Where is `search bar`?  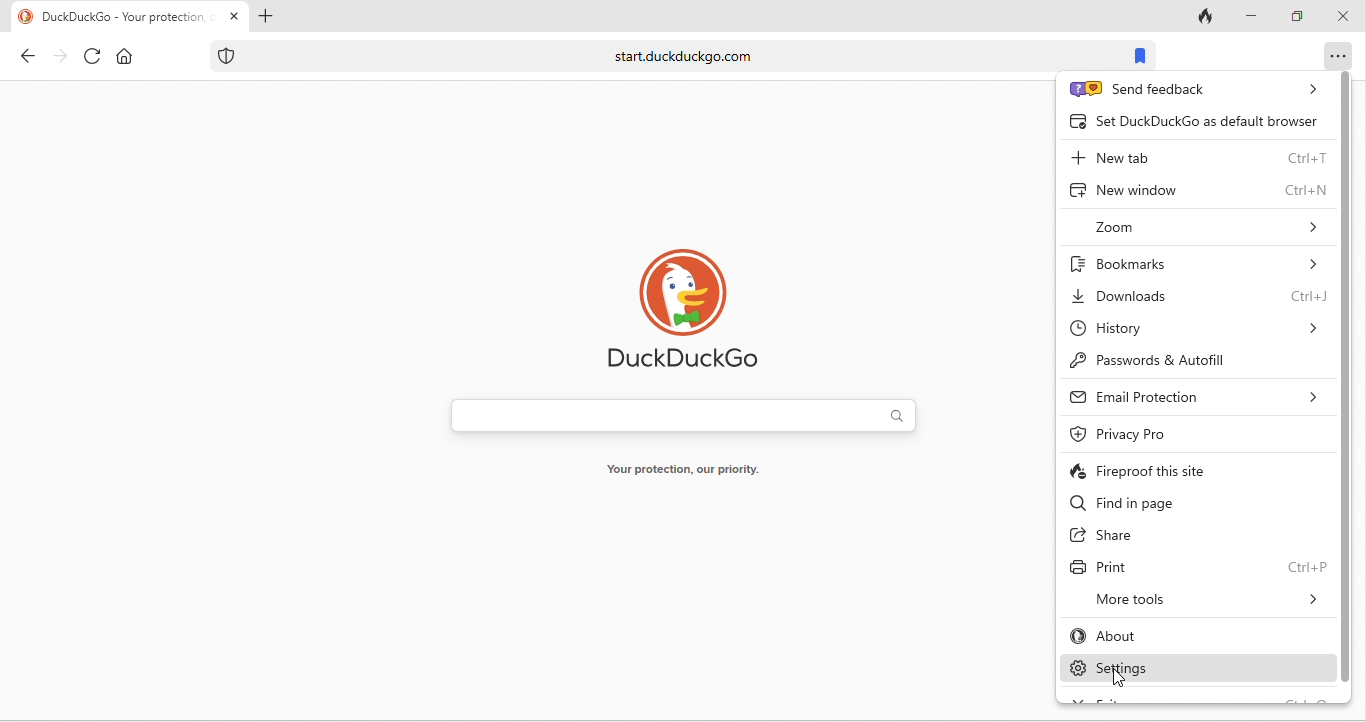
search bar is located at coordinates (685, 415).